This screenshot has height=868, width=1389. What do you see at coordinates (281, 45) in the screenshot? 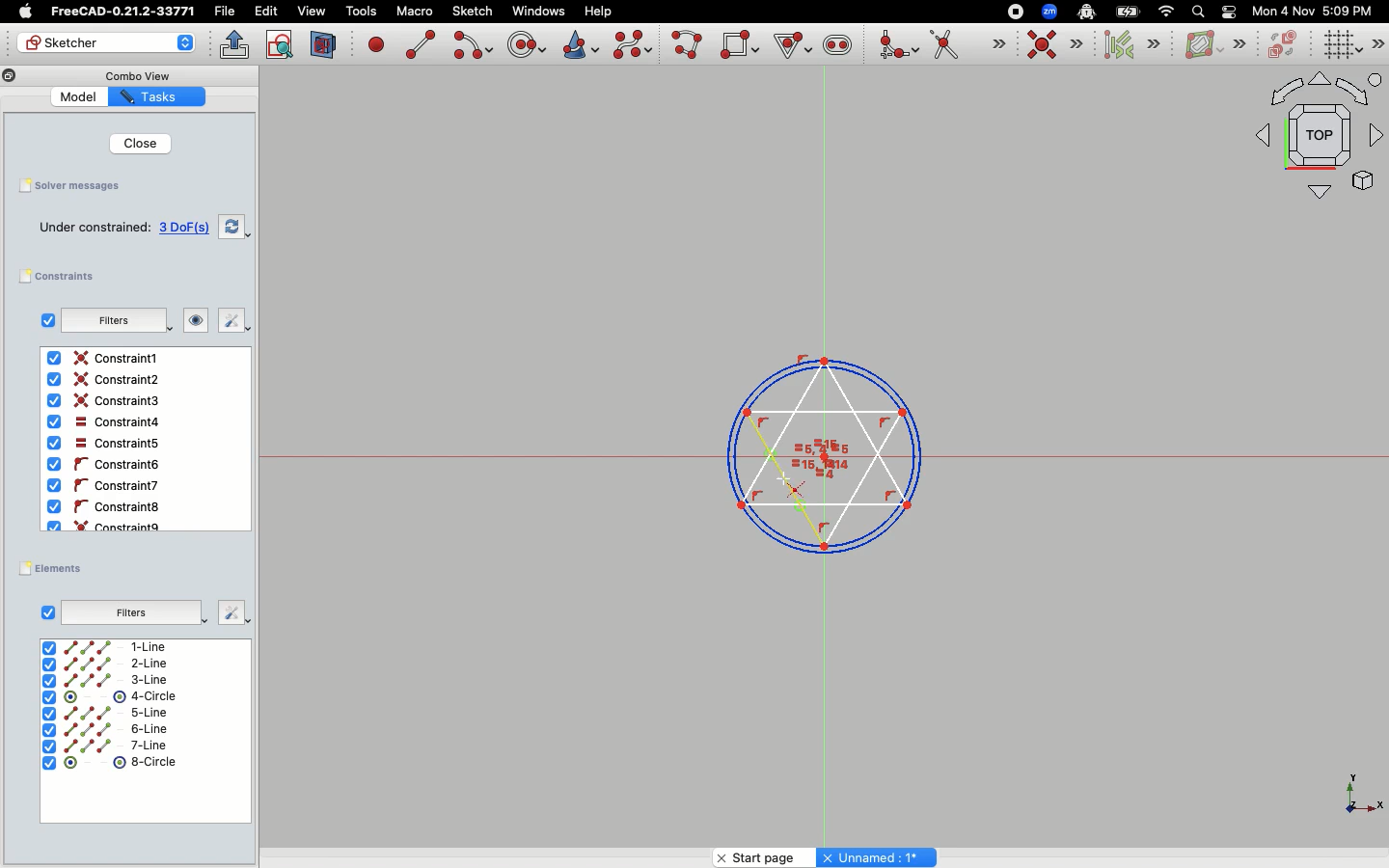
I see `View sketch` at bounding box center [281, 45].